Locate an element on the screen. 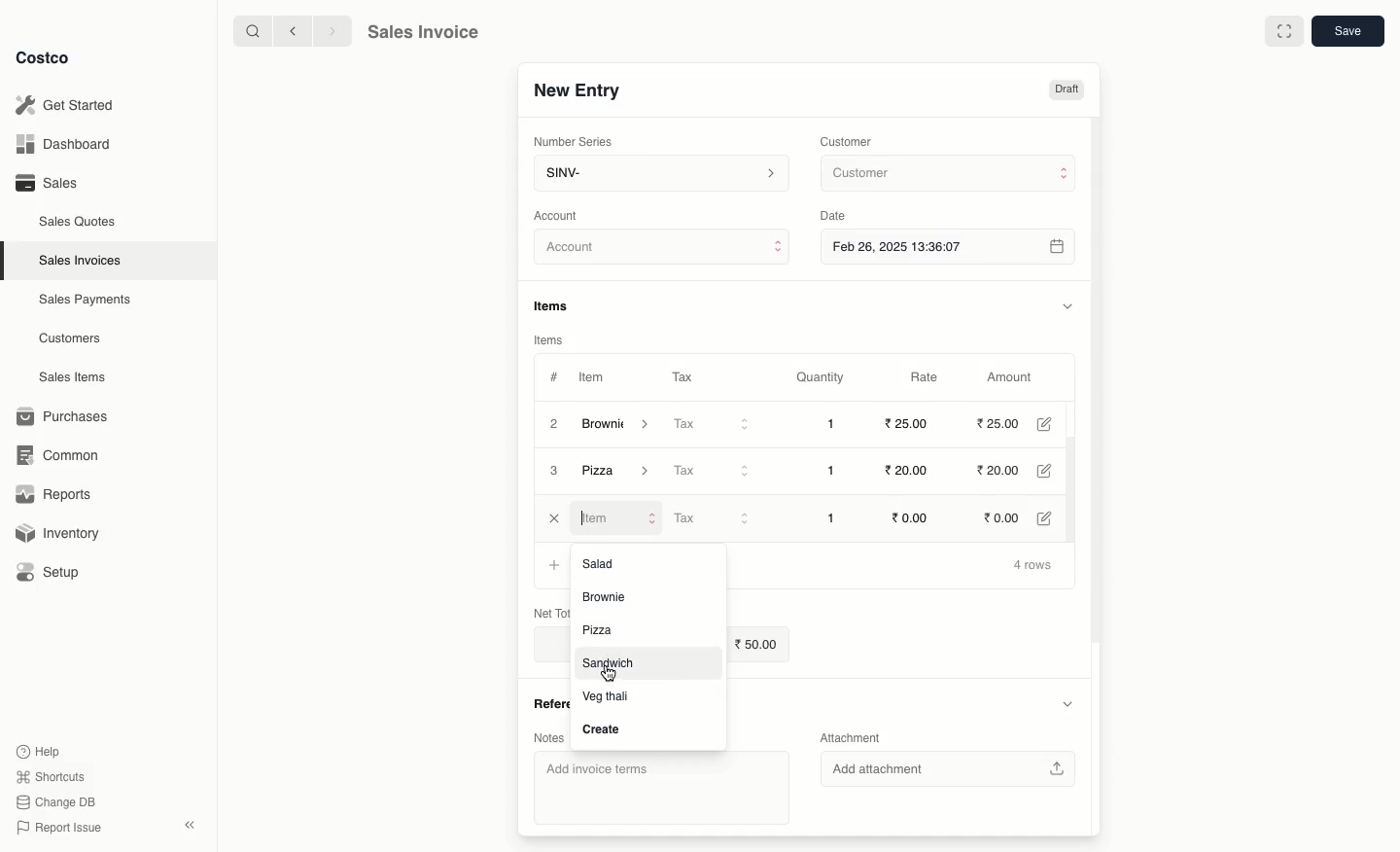  Inventory is located at coordinates (61, 531).